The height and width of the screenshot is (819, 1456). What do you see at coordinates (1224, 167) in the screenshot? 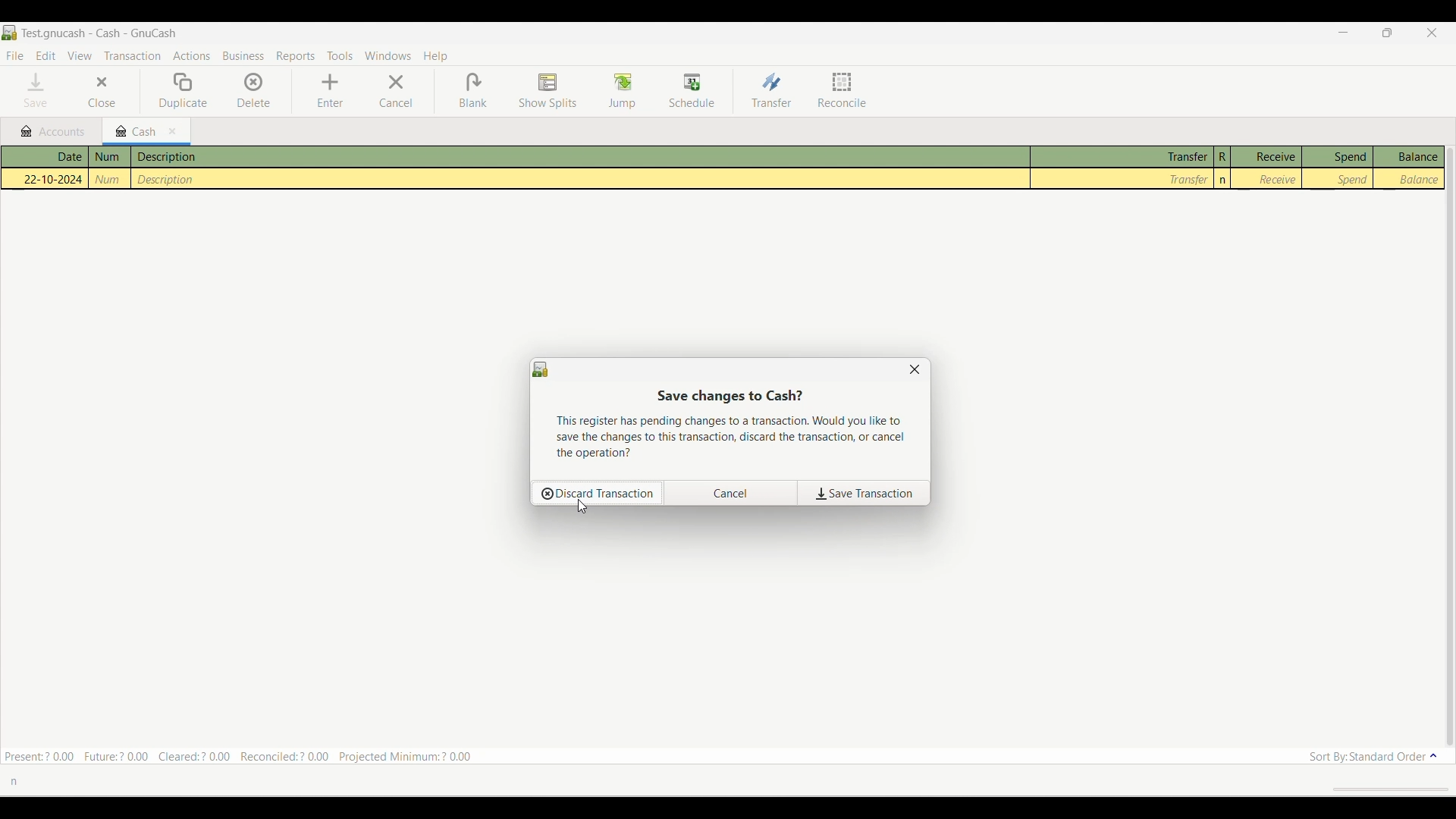
I see `R column` at bounding box center [1224, 167].